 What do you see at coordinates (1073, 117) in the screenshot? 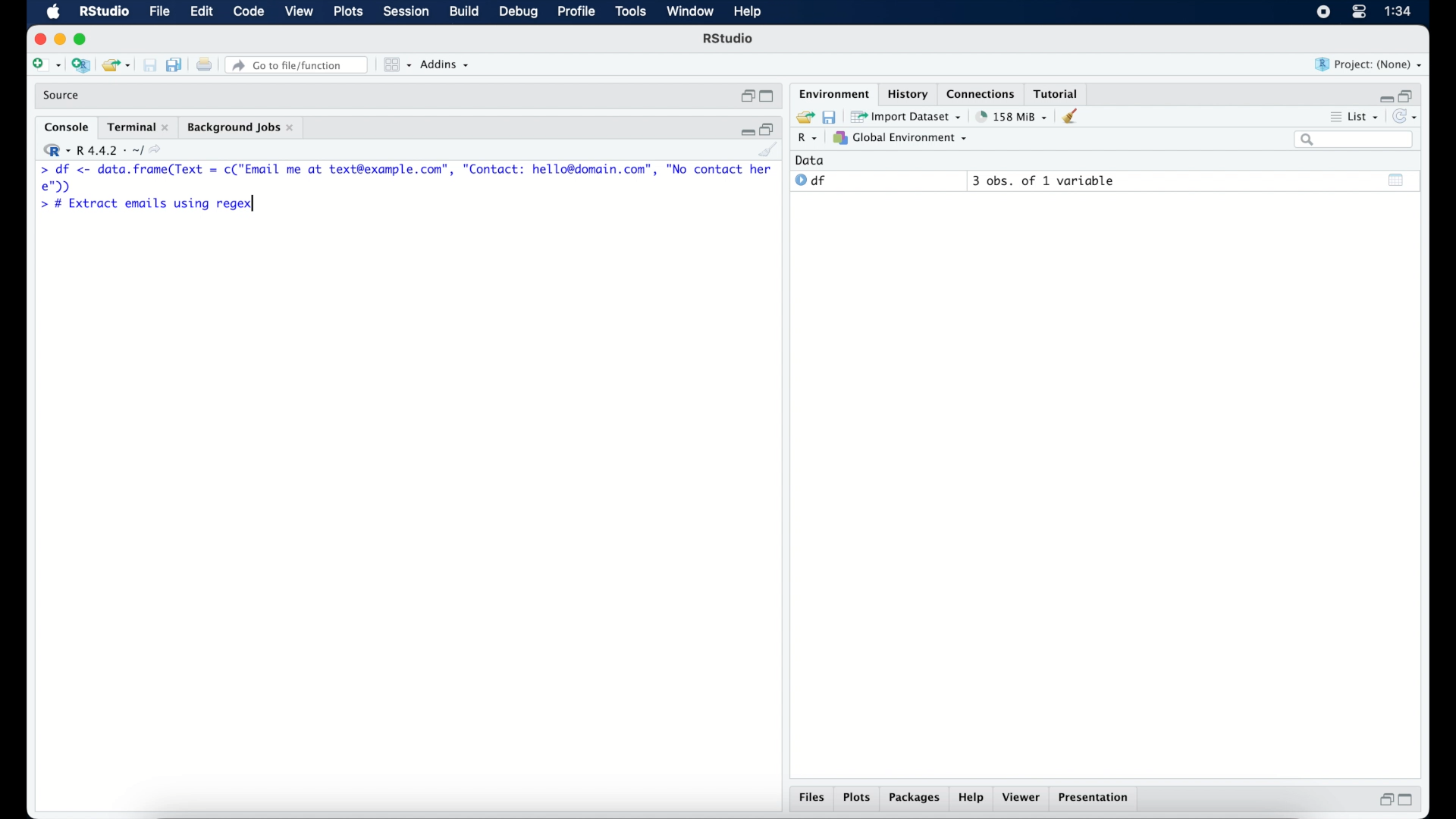
I see `clear console` at bounding box center [1073, 117].